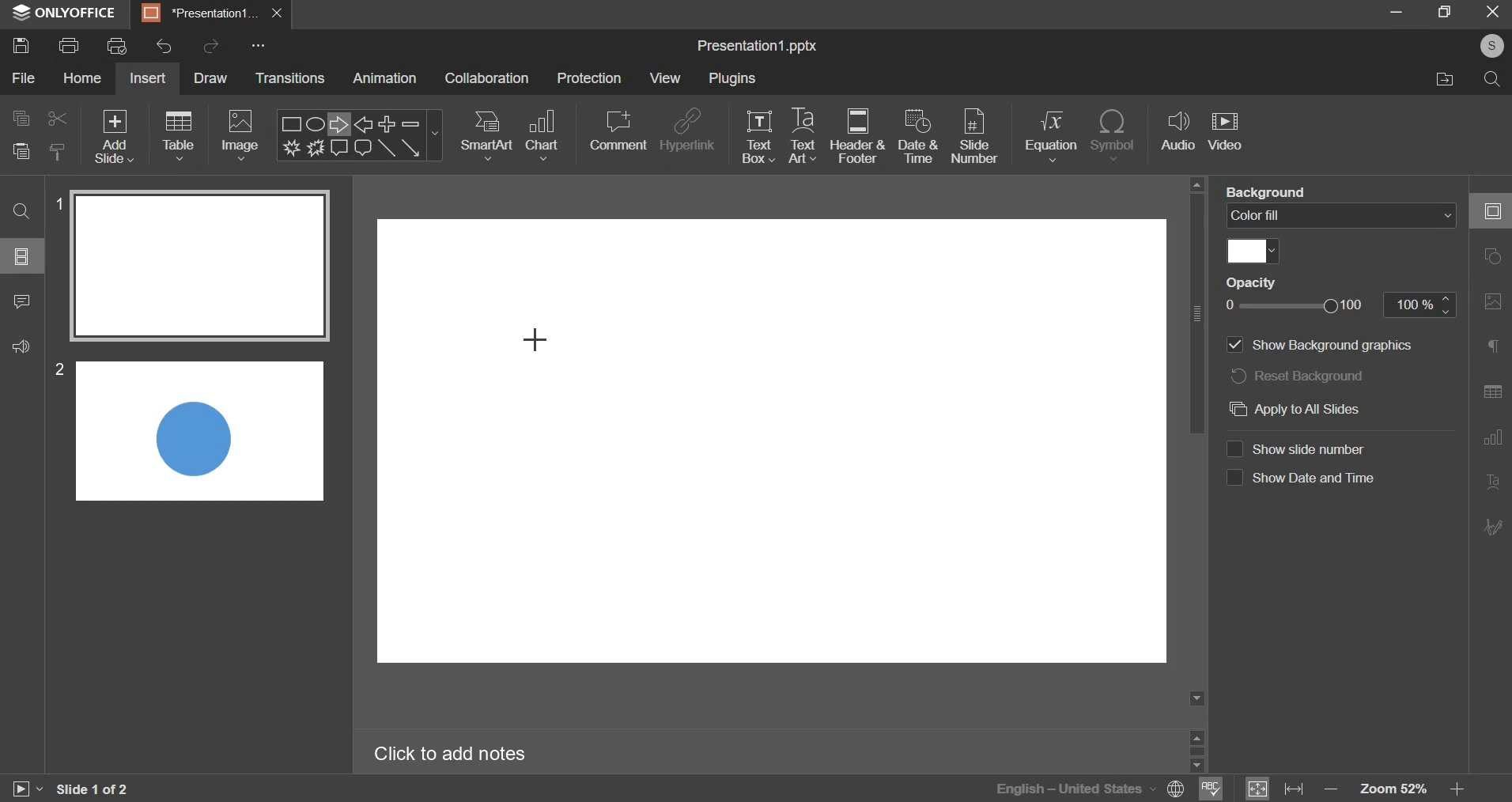  I want to click on Table settings, so click(1491, 390).